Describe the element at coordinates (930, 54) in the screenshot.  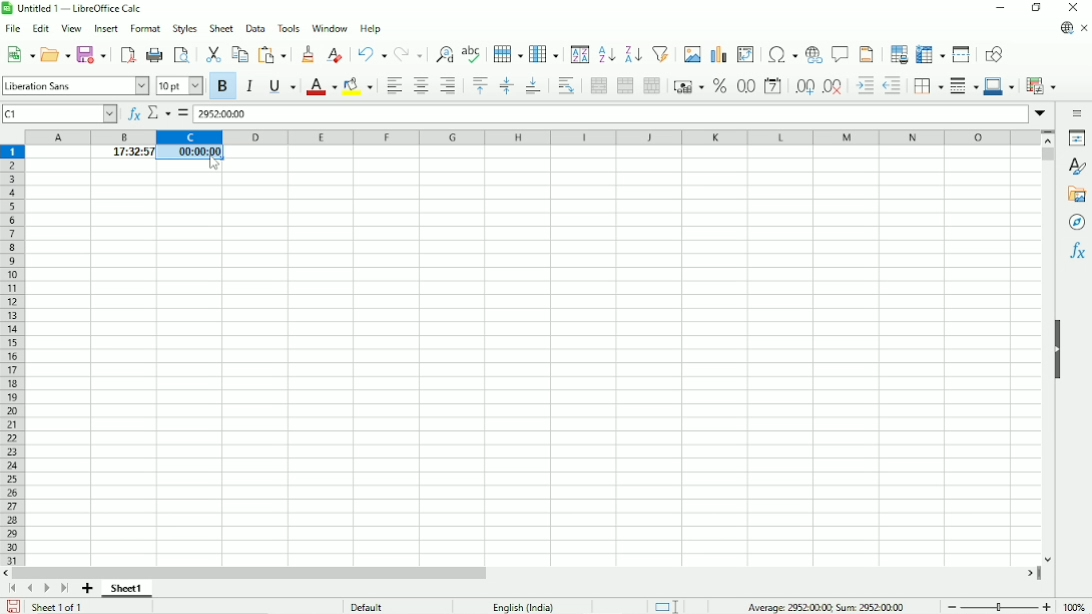
I see `Freeze rows and columns` at that location.